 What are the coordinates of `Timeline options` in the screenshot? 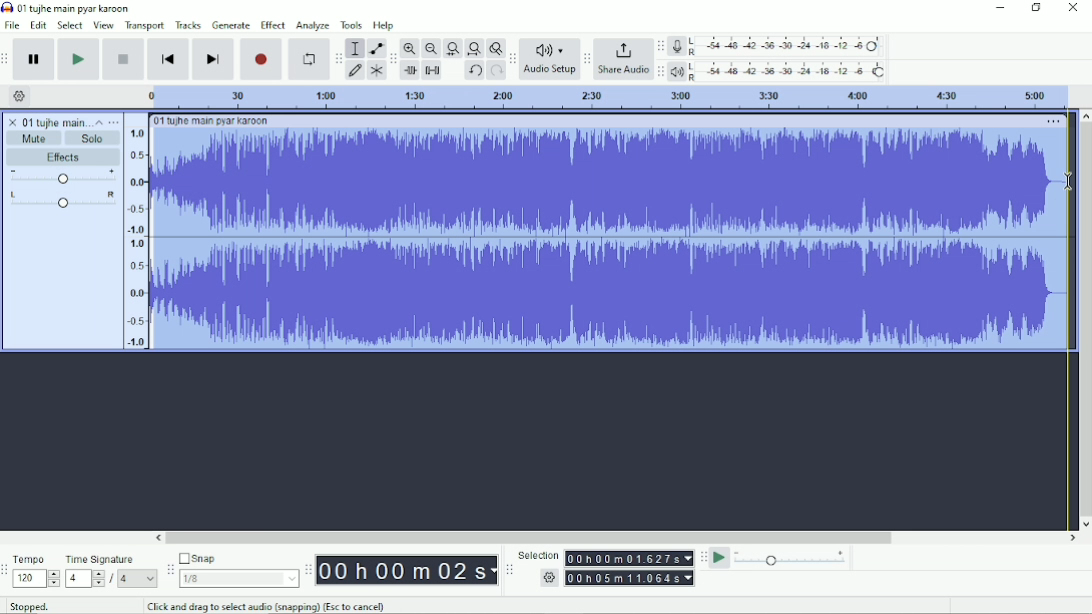 It's located at (18, 96).